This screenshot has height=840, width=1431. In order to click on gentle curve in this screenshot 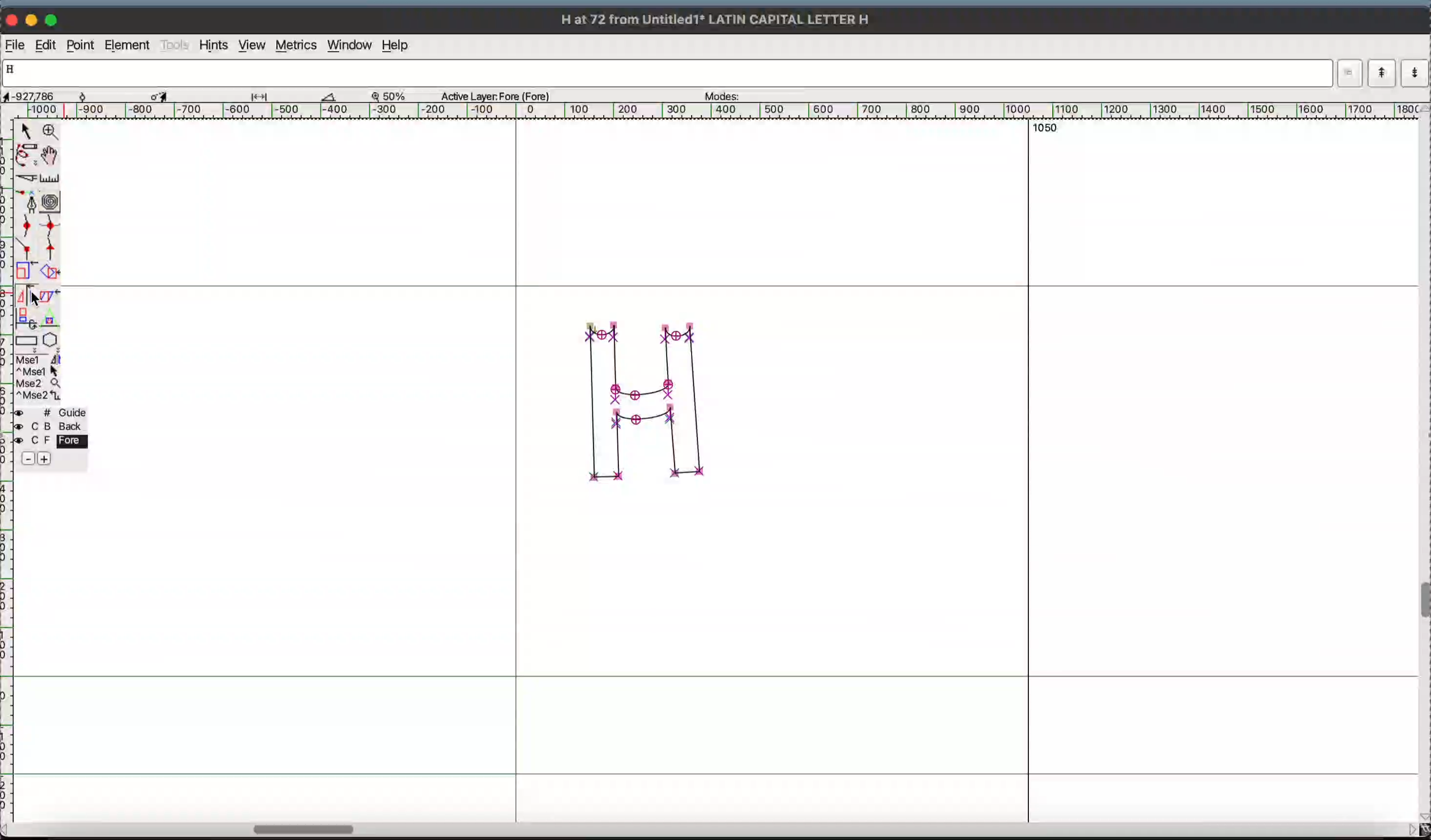, I will do `click(28, 228)`.